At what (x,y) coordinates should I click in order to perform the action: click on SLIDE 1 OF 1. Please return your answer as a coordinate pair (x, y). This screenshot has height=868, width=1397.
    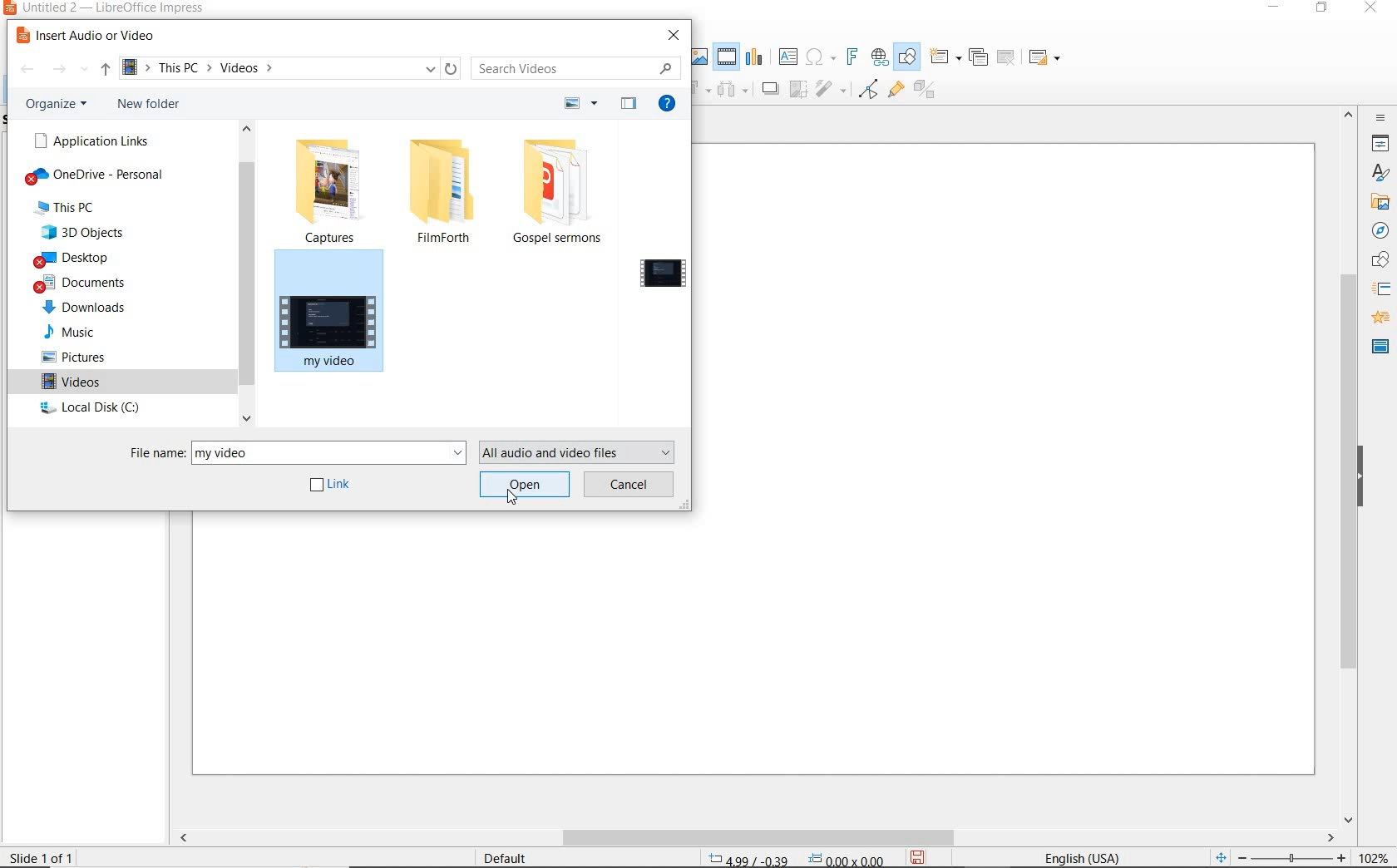
    Looking at the image, I should click on (45, 856).